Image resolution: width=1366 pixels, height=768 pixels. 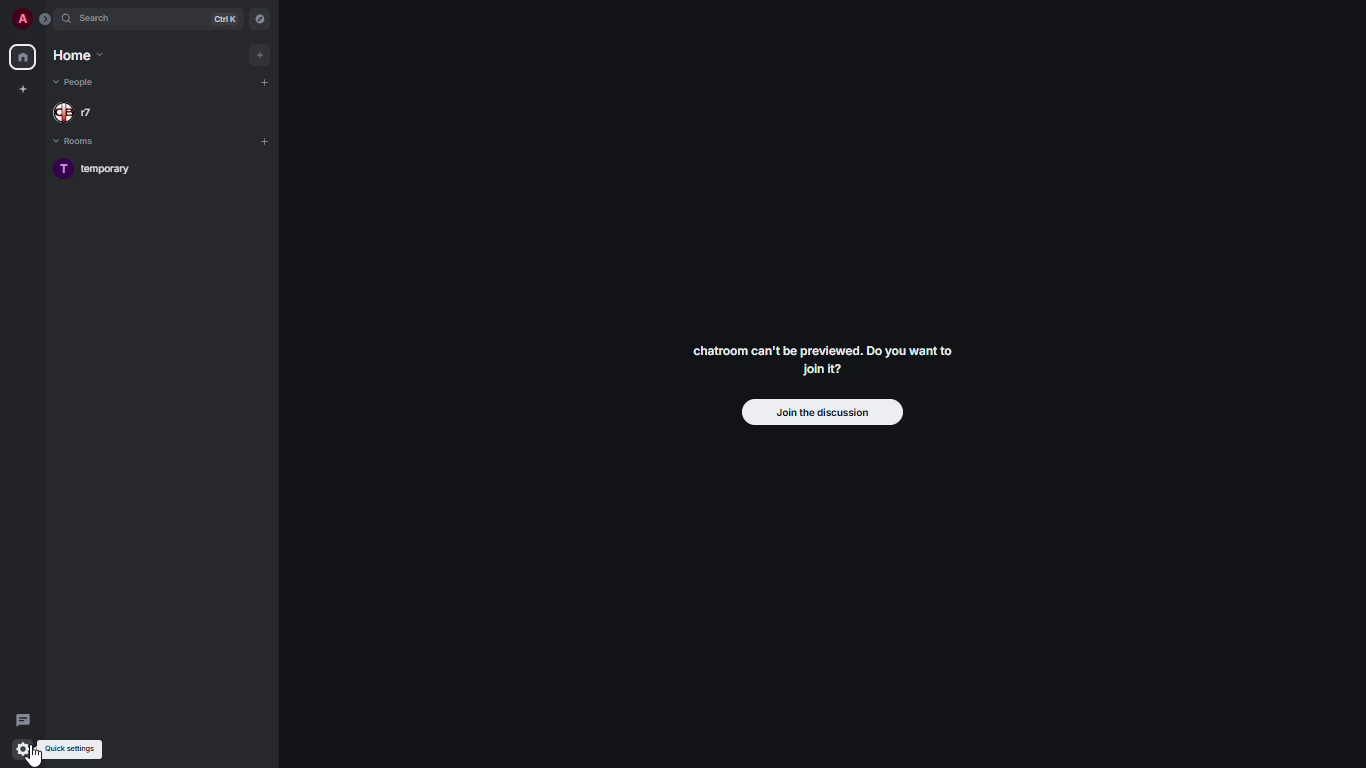 What do you see at coordinates (261, 18) in the screenshot?
I see `navigator` at bounding box center [261, 18].